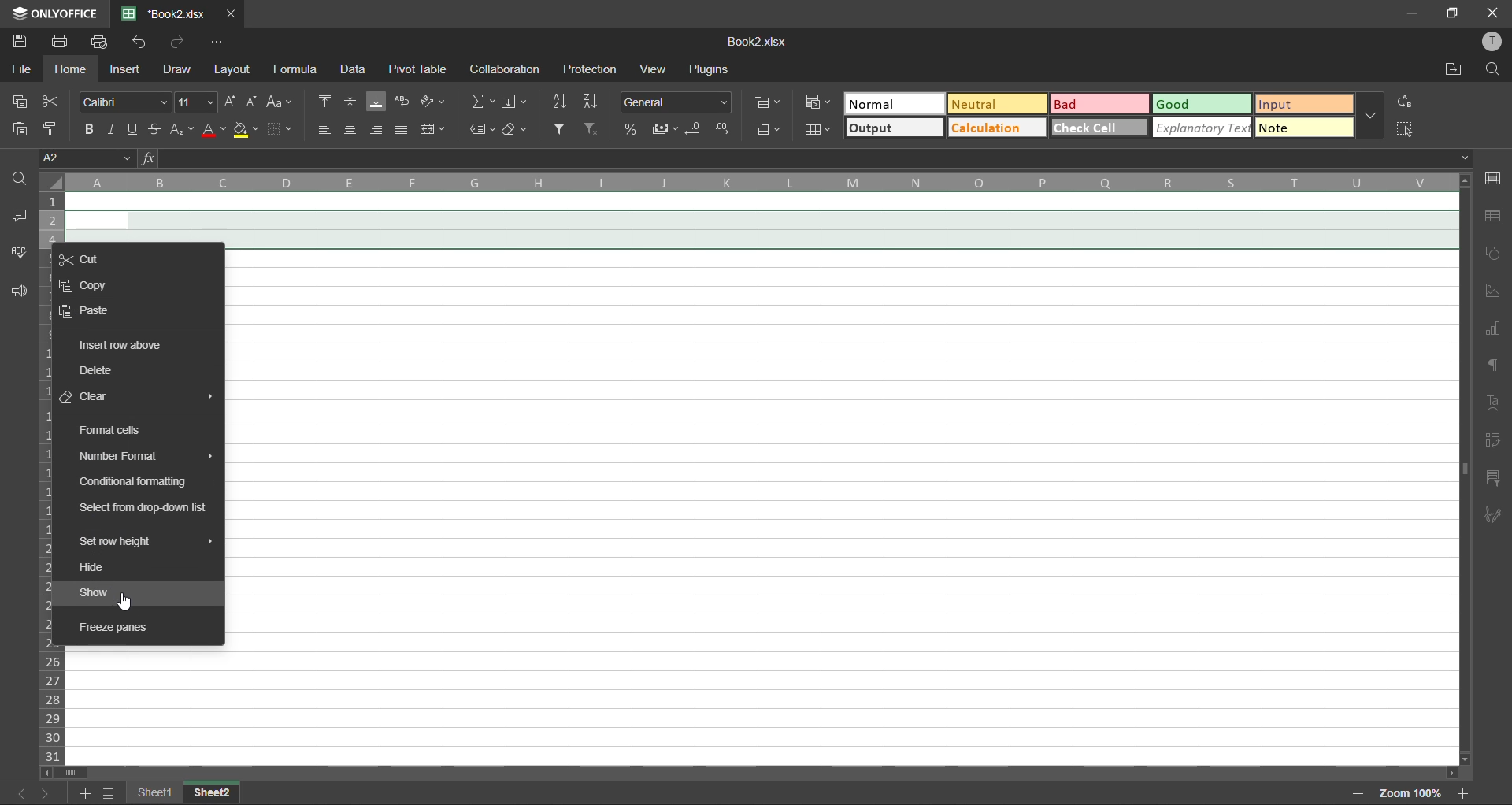 The width and height of the screenshot is (1512, 805). What do you see at coordinates (758, 42) in the screenshot?
I see `Book2.xlsx` at bounding box center [758, 42].